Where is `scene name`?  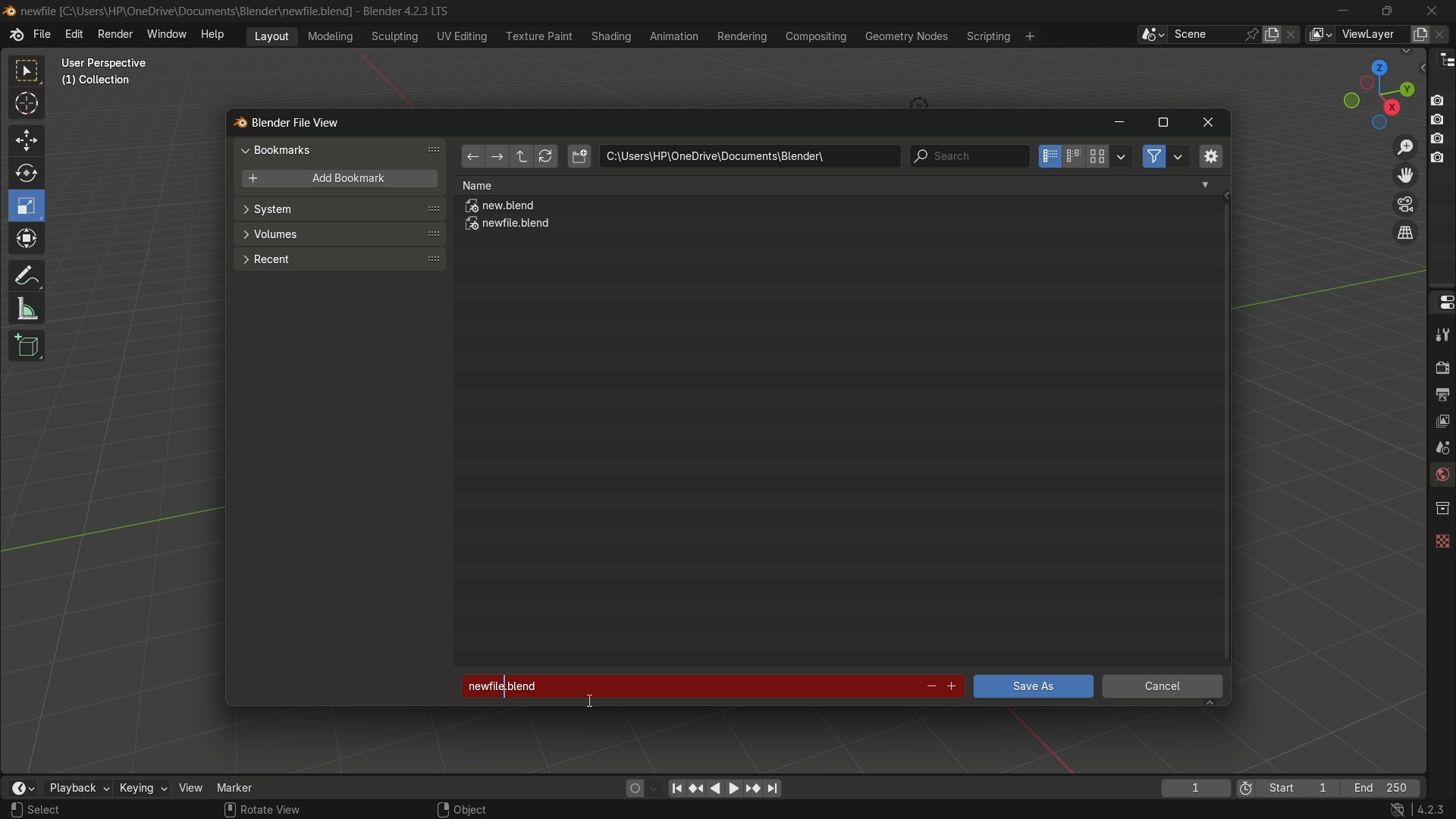
scene name is located at coordinates (1205, 33).